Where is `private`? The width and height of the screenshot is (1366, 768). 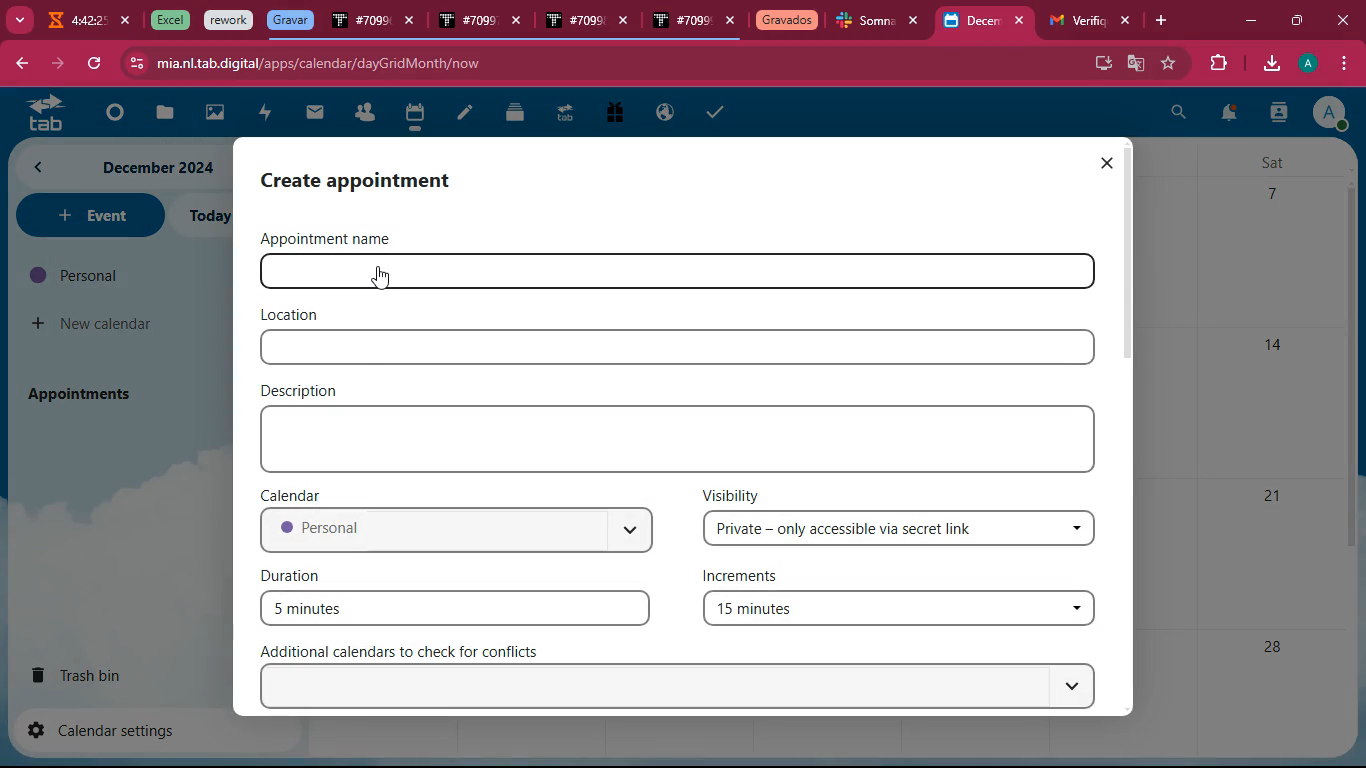
private is located at coordinates (901, 529).